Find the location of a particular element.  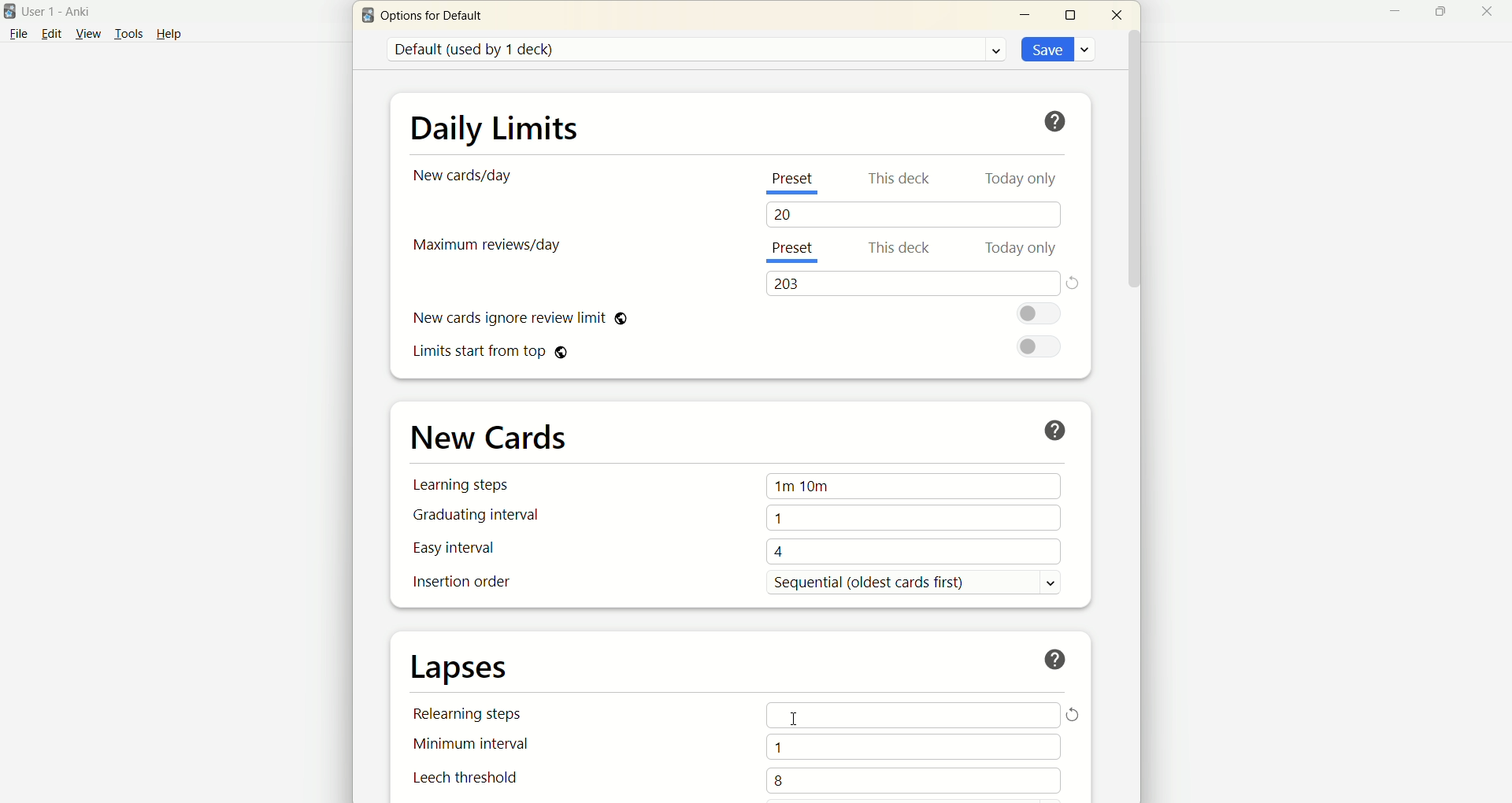

easy interval is located at coordinates (454, 548).